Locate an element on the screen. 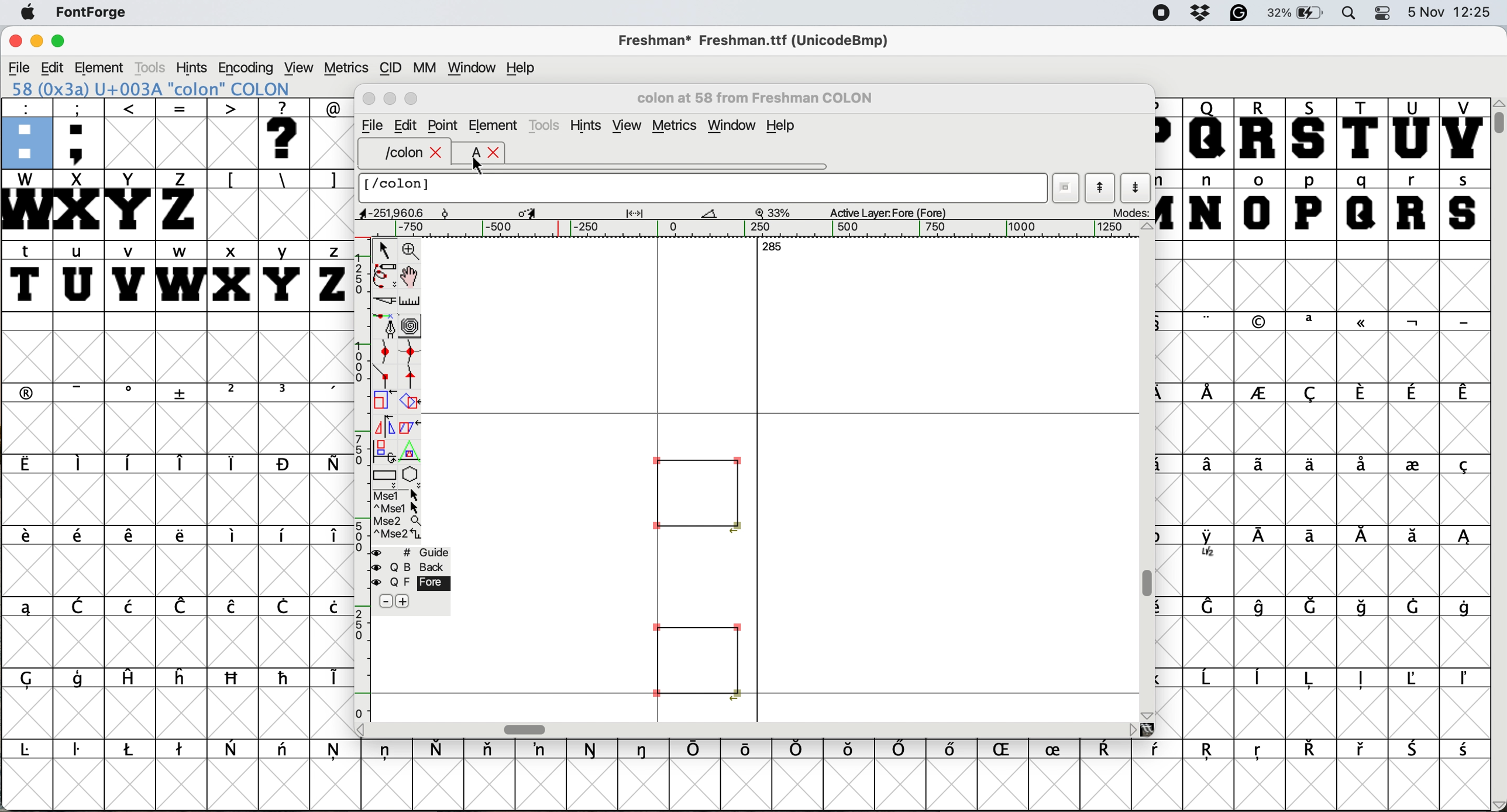 The image size is (1507, 812). vertical scroll bar is located at coordinates (1498, 455).